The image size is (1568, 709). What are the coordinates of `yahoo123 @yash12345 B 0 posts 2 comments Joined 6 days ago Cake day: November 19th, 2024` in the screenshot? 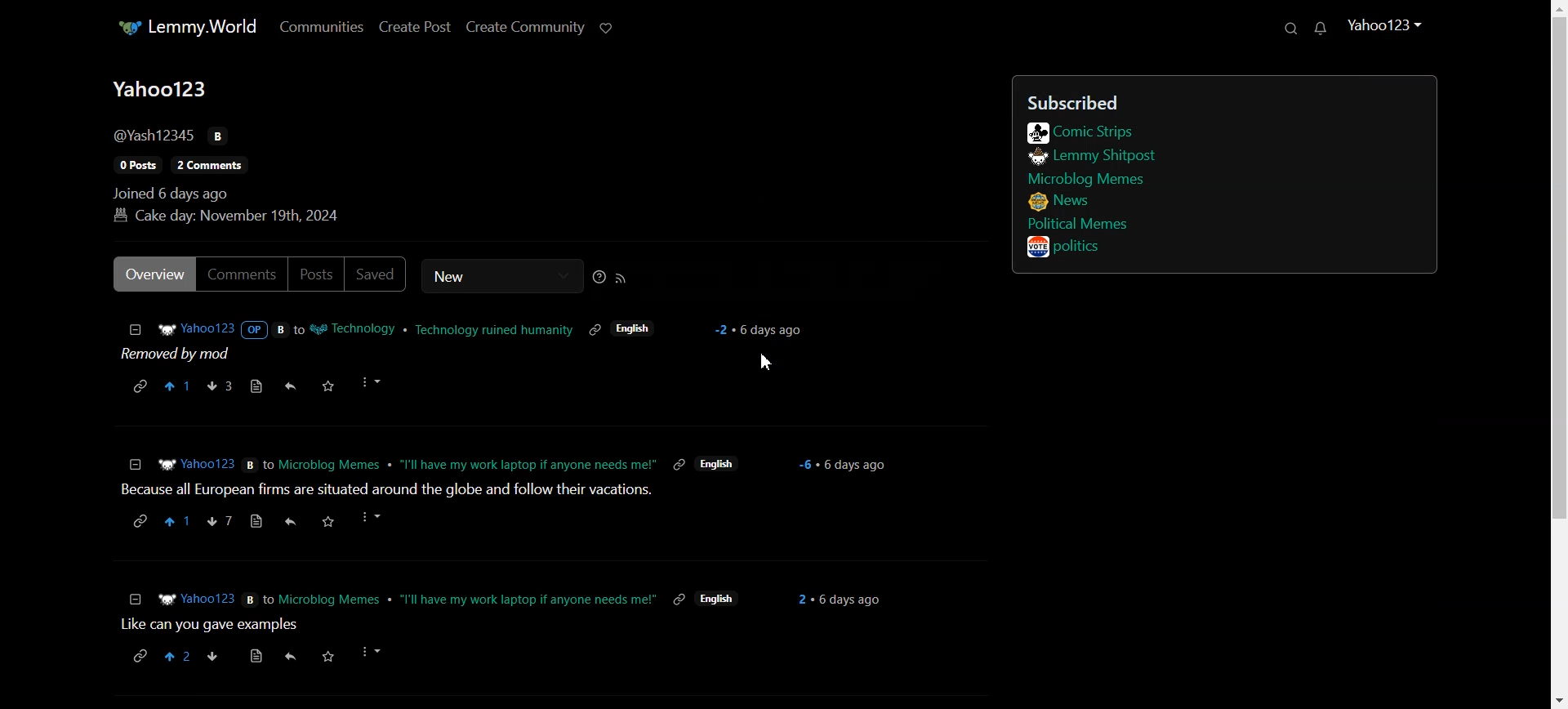 It's located at (233, 150).